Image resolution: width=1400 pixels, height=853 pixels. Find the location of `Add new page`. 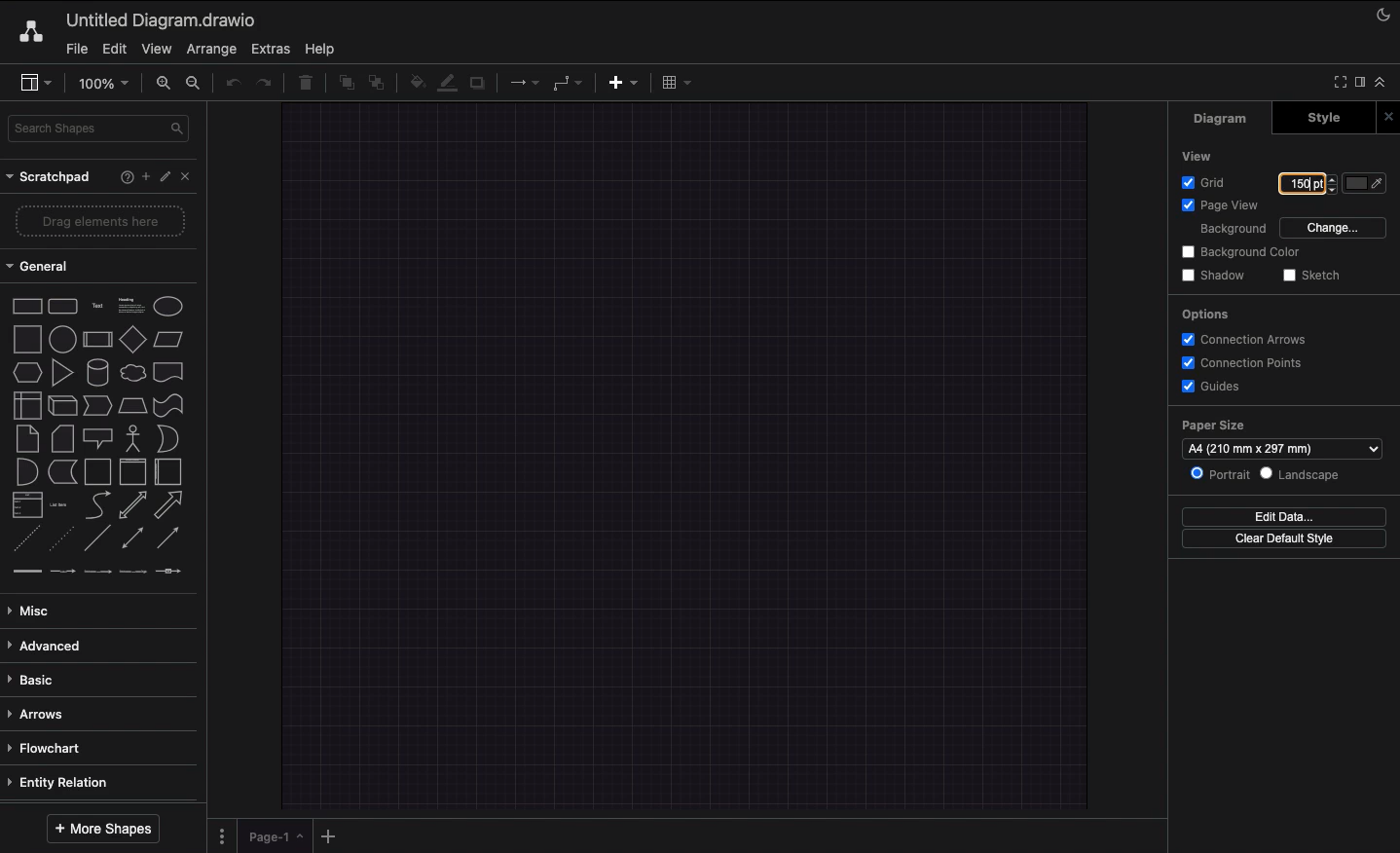

Add new page is located at coordinates (327, 834).